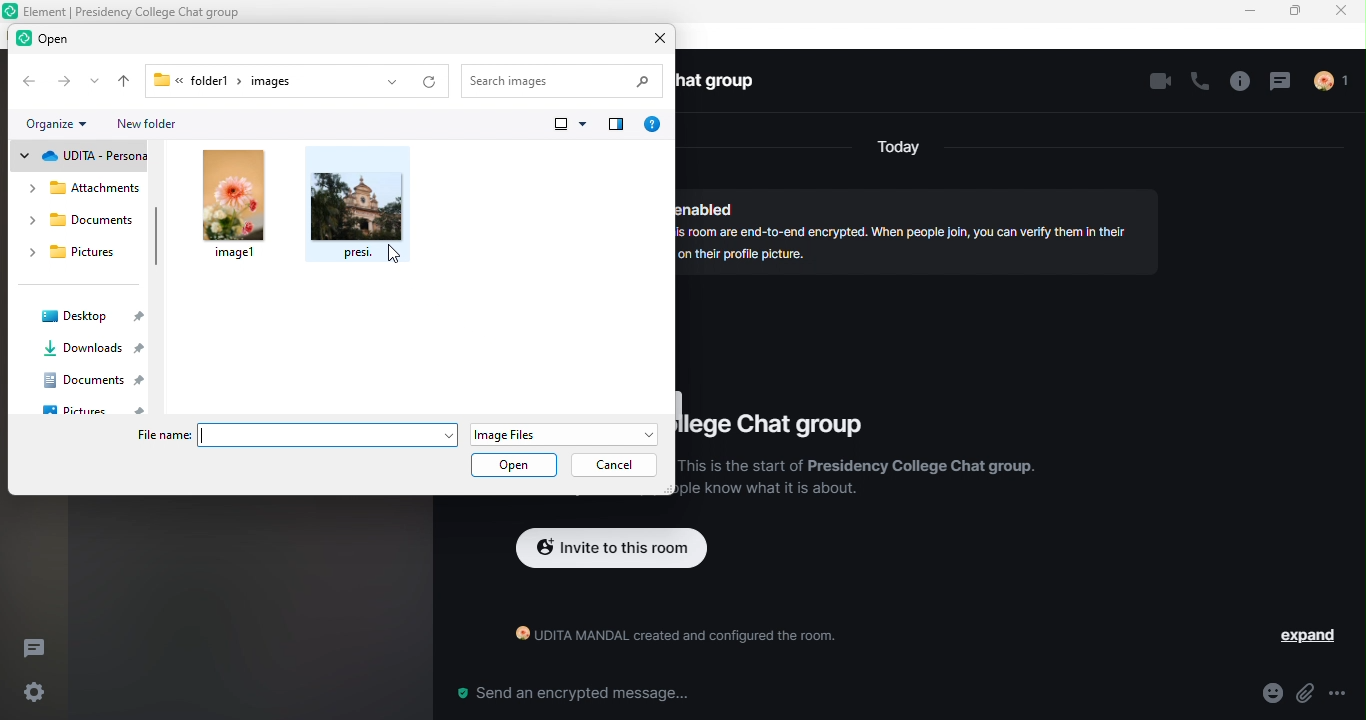  I want to click on up to desktop, so click(118, 82).